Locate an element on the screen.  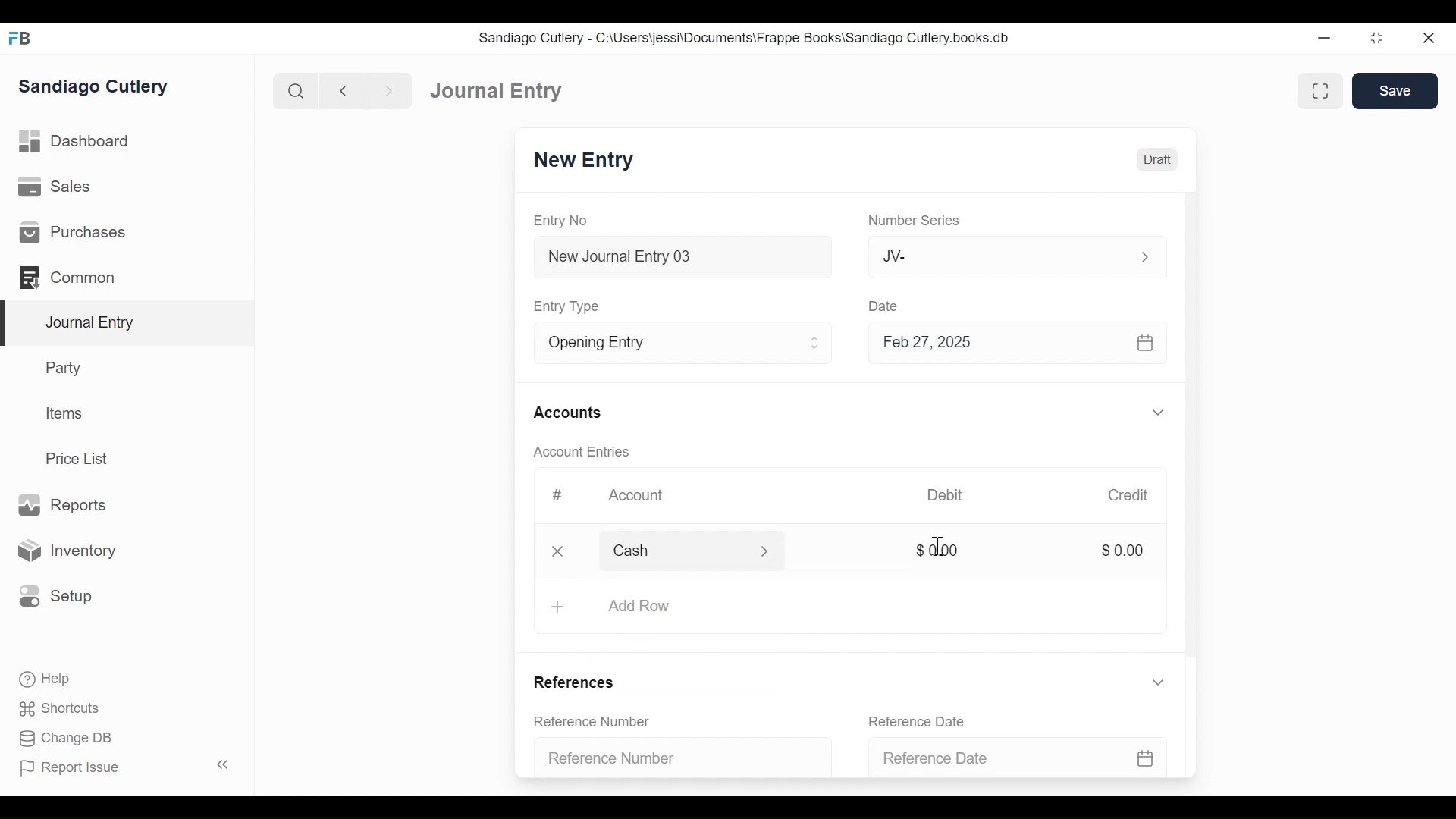
Navigate forward is located at coordinates (388, 91).